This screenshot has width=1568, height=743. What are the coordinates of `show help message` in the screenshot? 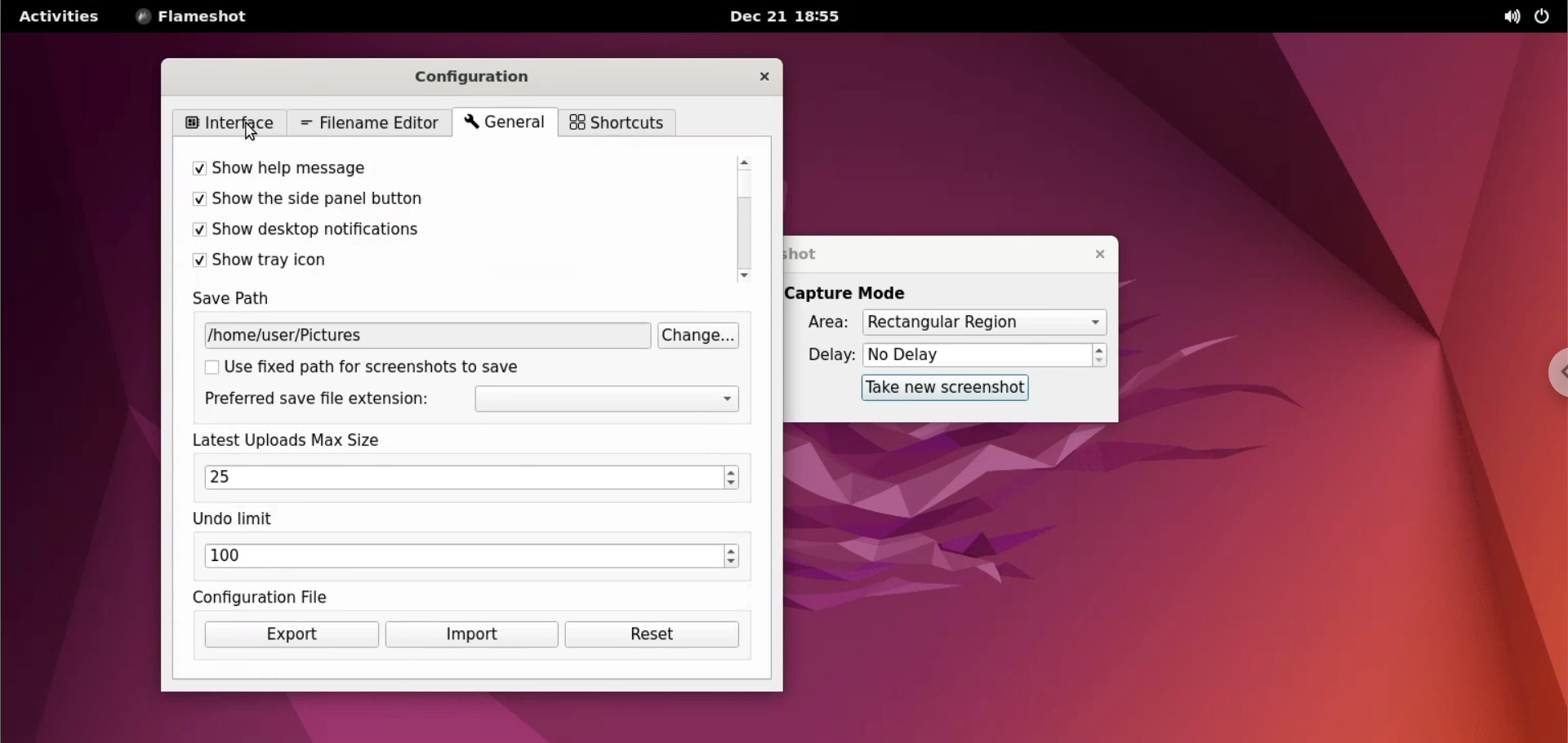 It's located at (398, 163).